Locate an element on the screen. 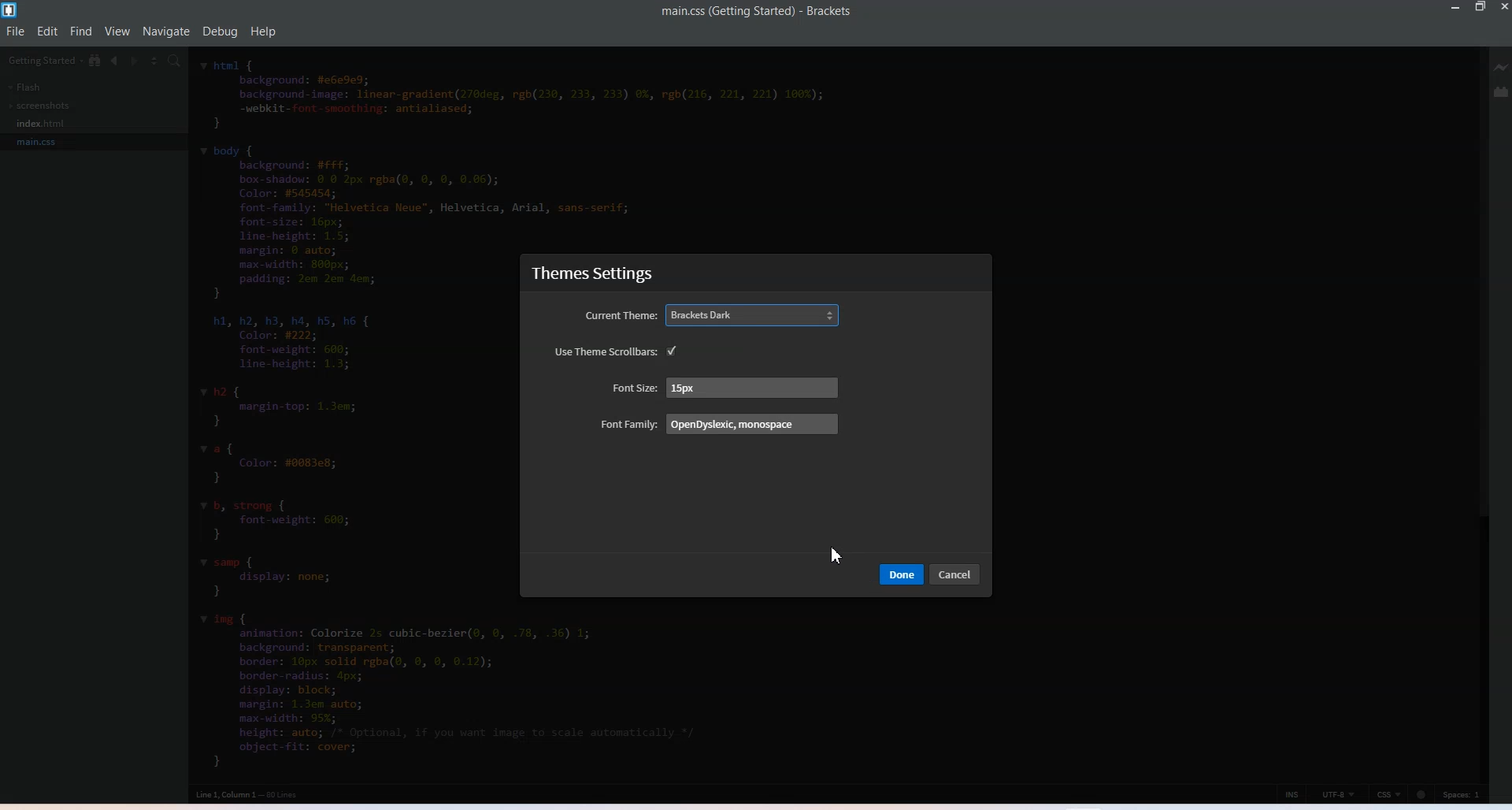 The width and height of the screenshot is (1512, 810). index.html is located at coordinates (43, 124).